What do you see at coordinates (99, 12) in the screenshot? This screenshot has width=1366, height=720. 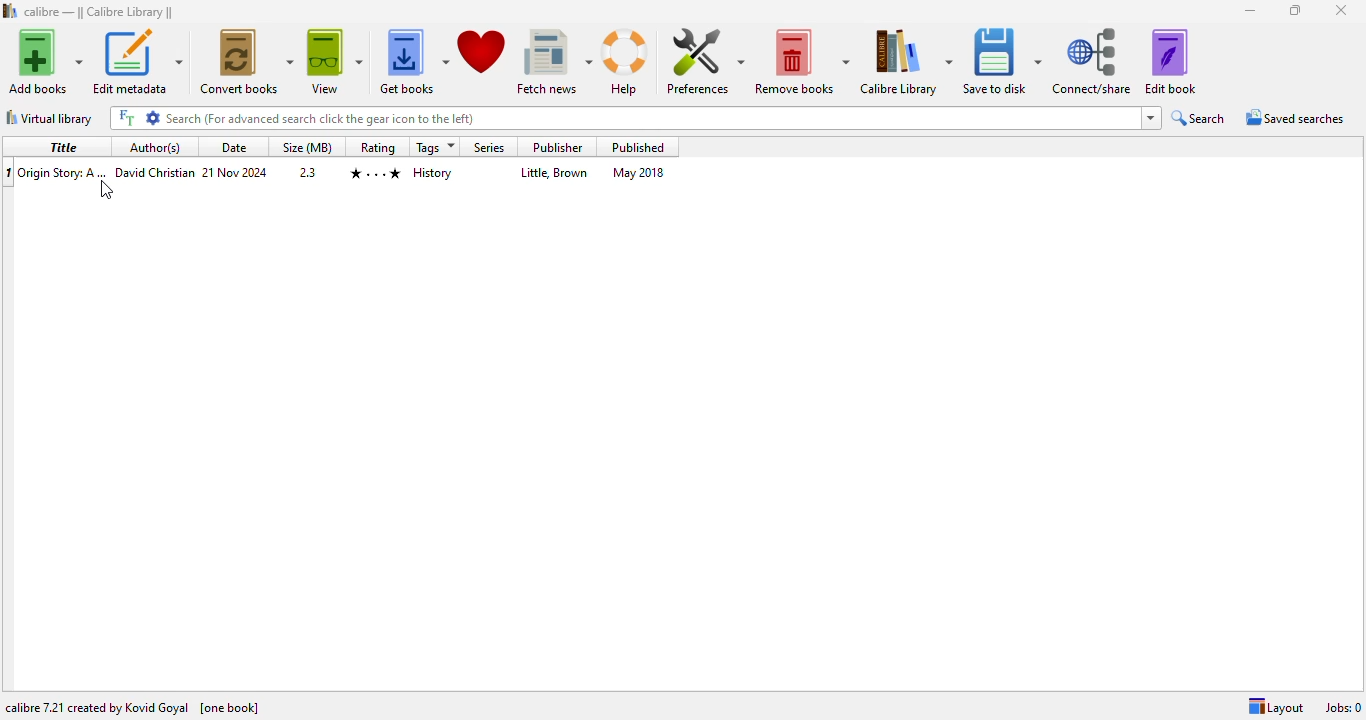 I see `calibre library` at bounding box center [99, 12].